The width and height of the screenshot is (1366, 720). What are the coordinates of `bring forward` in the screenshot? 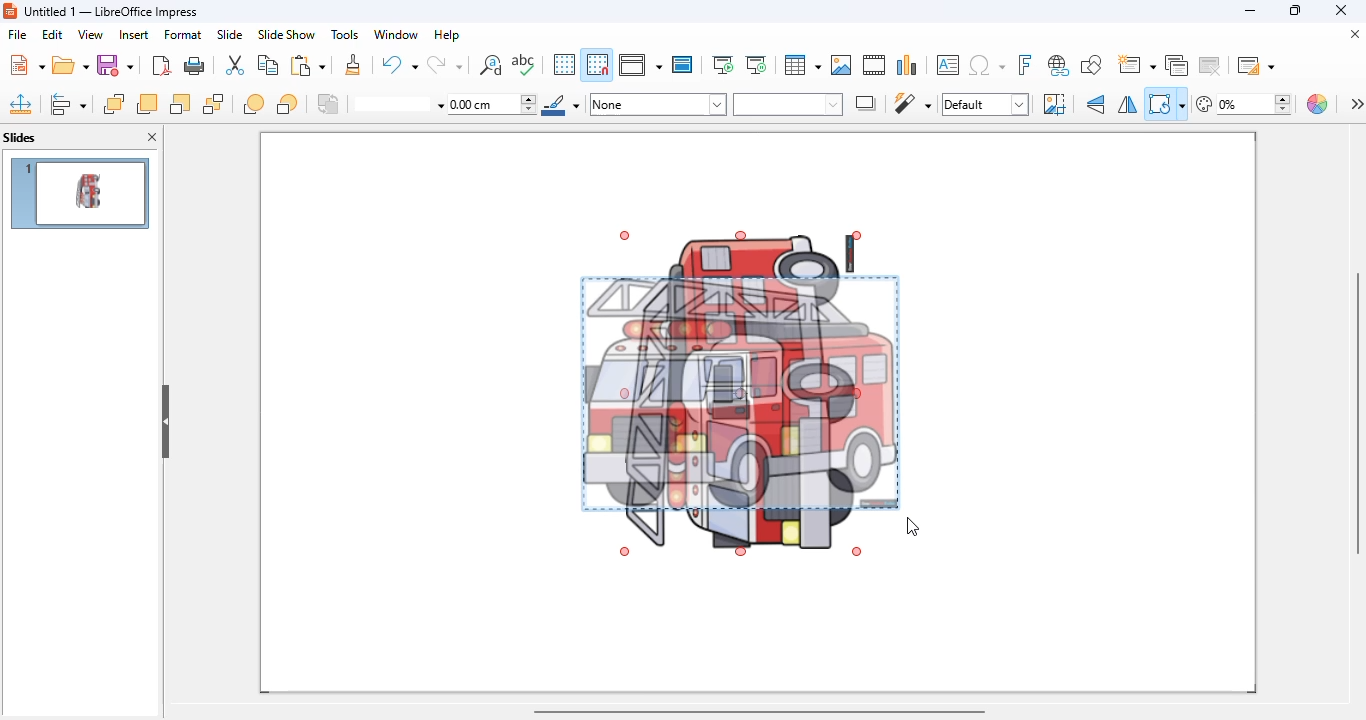 It's located at (146, 104).